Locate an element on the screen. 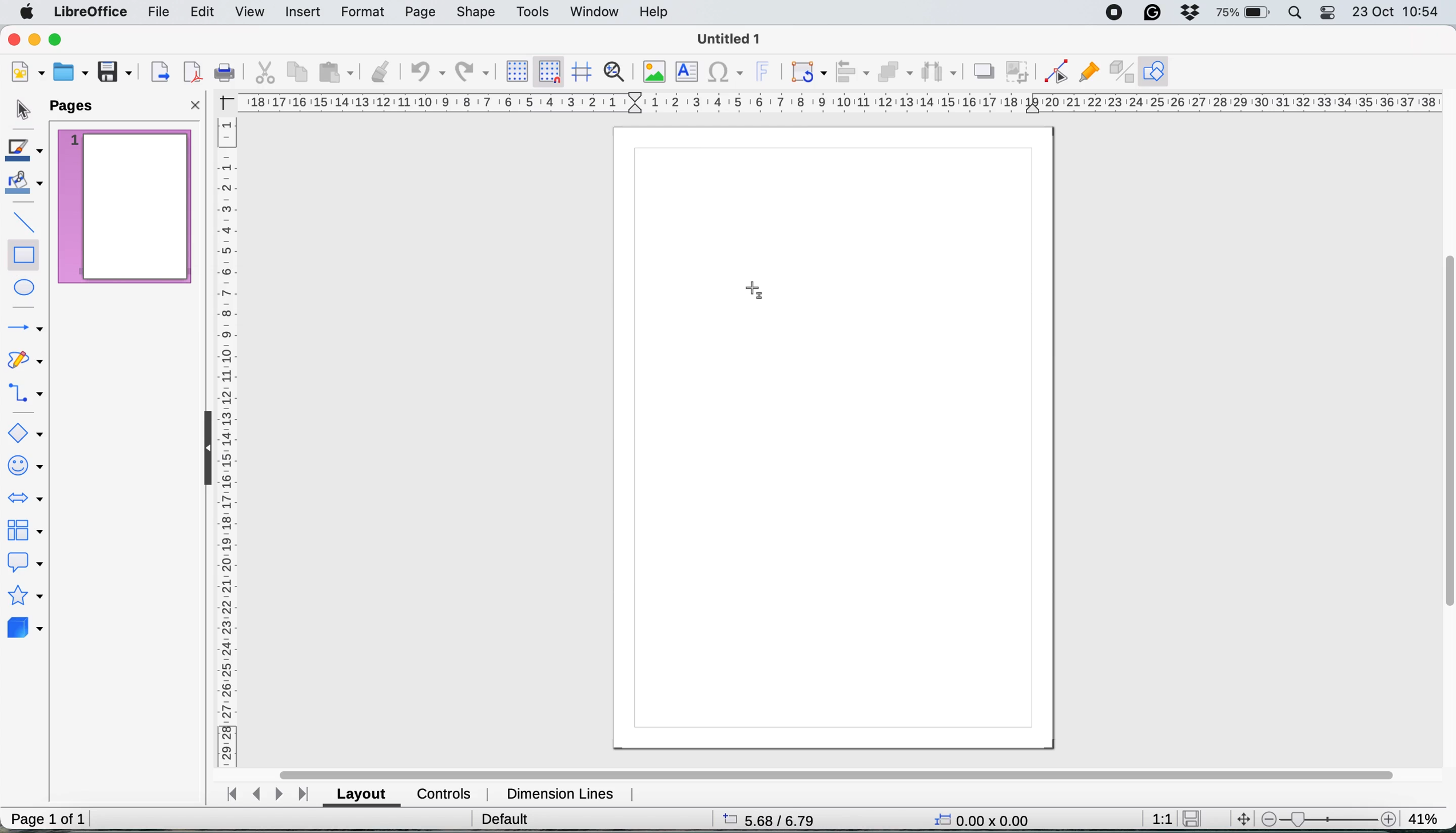  spotlight search is located at coordinates (1296, 13).